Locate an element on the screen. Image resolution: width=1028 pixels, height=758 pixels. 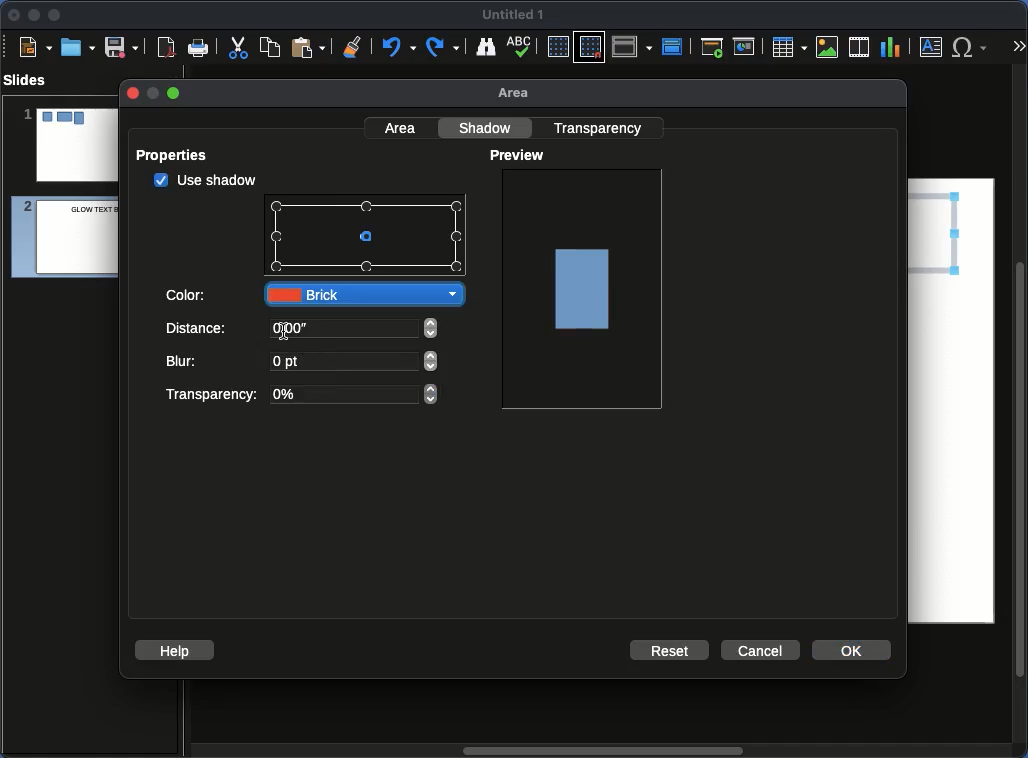
Transparency is located at coordinates (601, 127).